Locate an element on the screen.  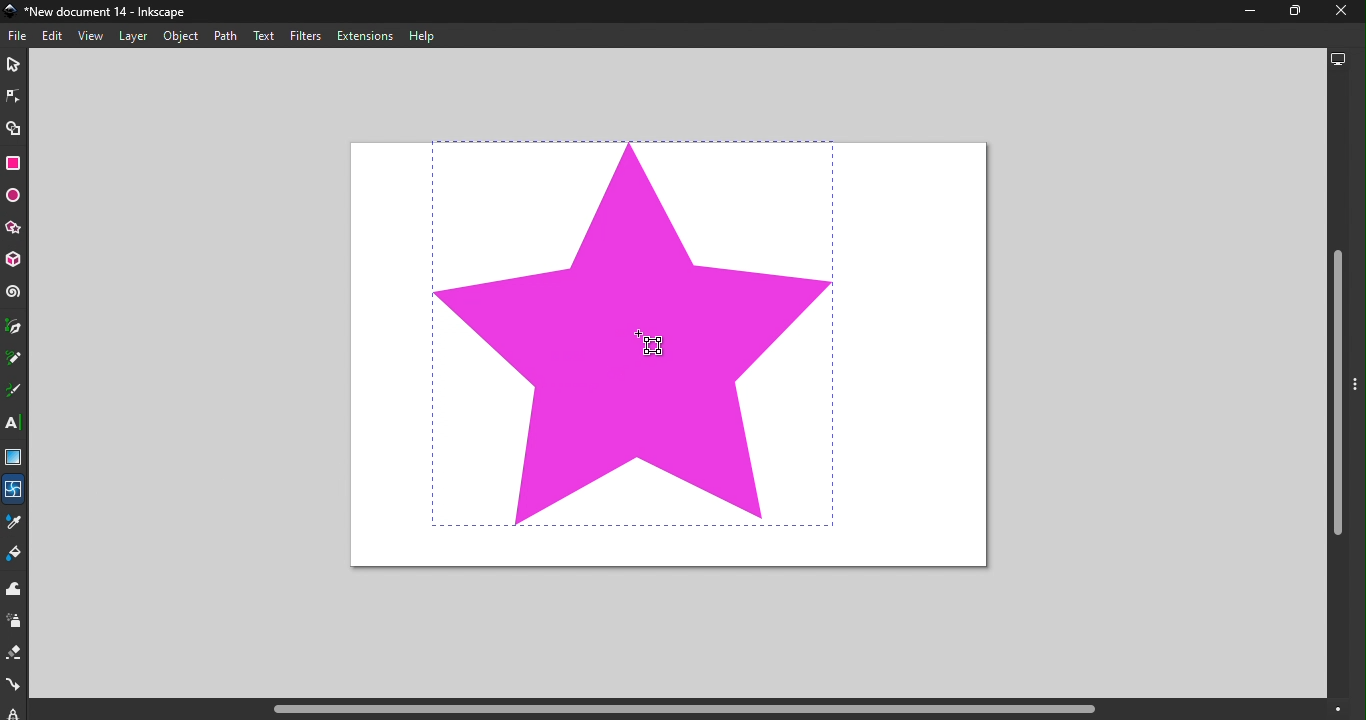
Pencil tool is located at coordinates (14, 361).